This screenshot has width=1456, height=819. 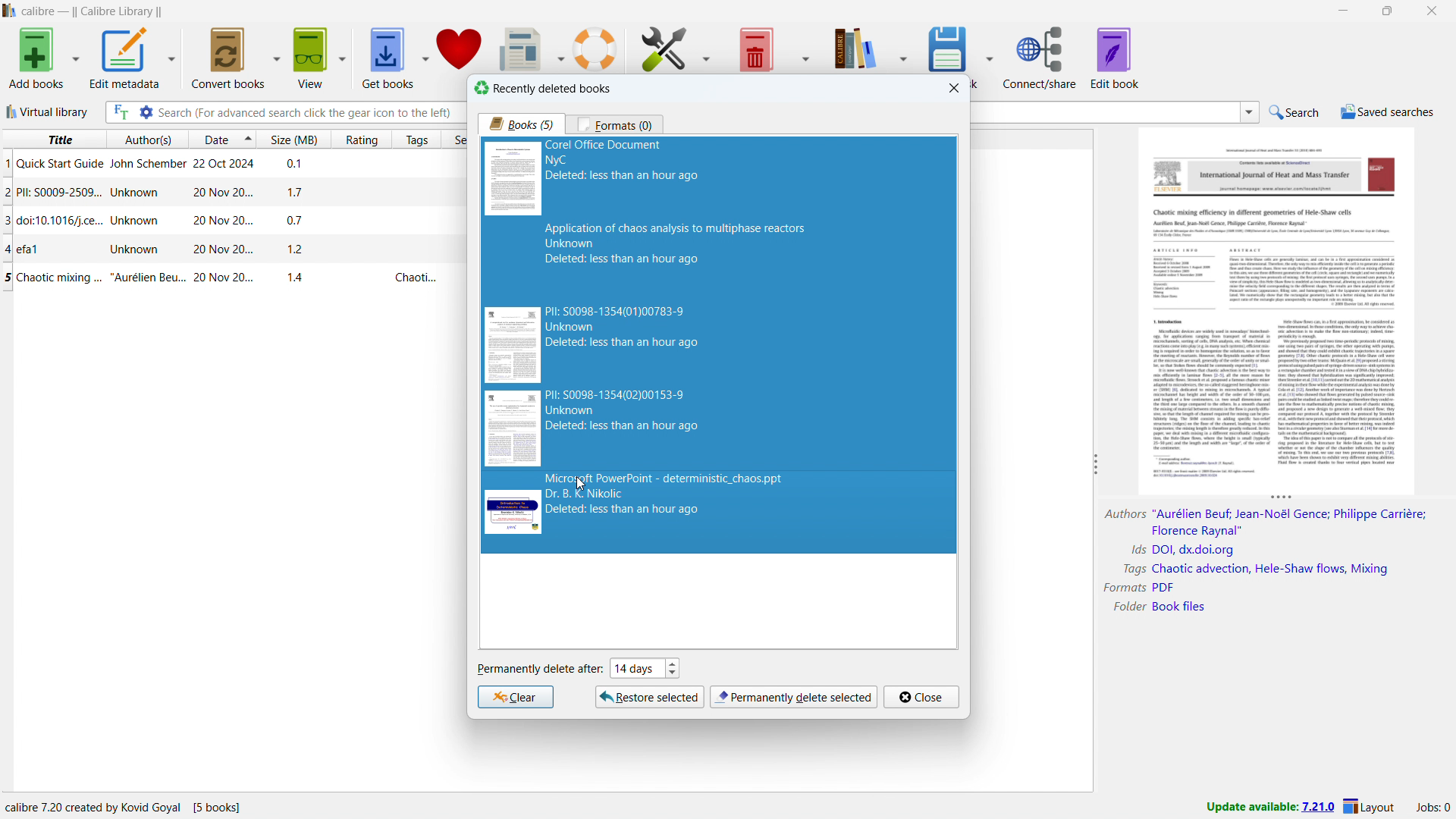 What do you see at coordinates (455, 140) in the screenshot?
I see `sort by series` at bounding box center [455, 140].